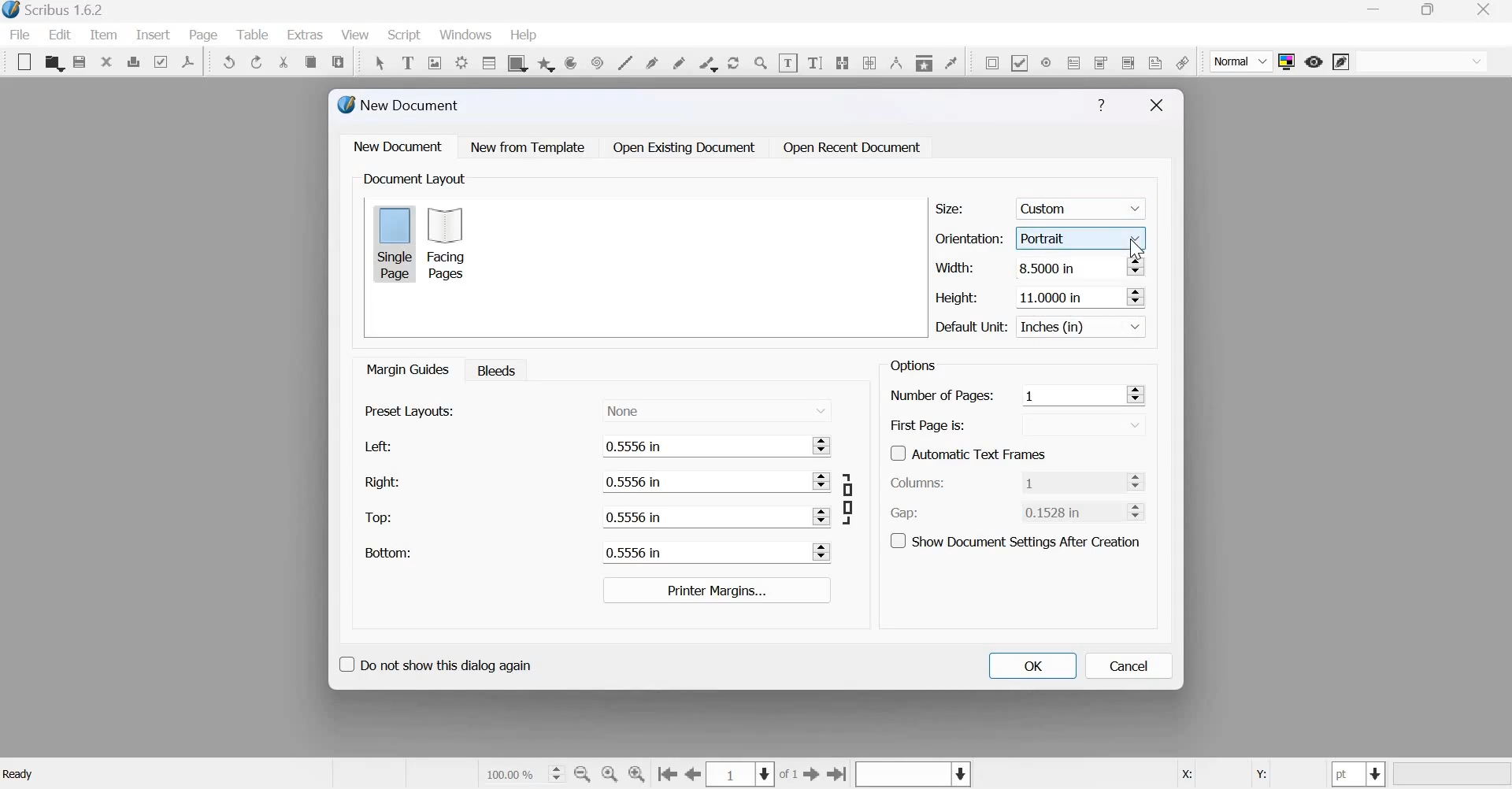  I want to click on unlink text frames, so click(869, 61).